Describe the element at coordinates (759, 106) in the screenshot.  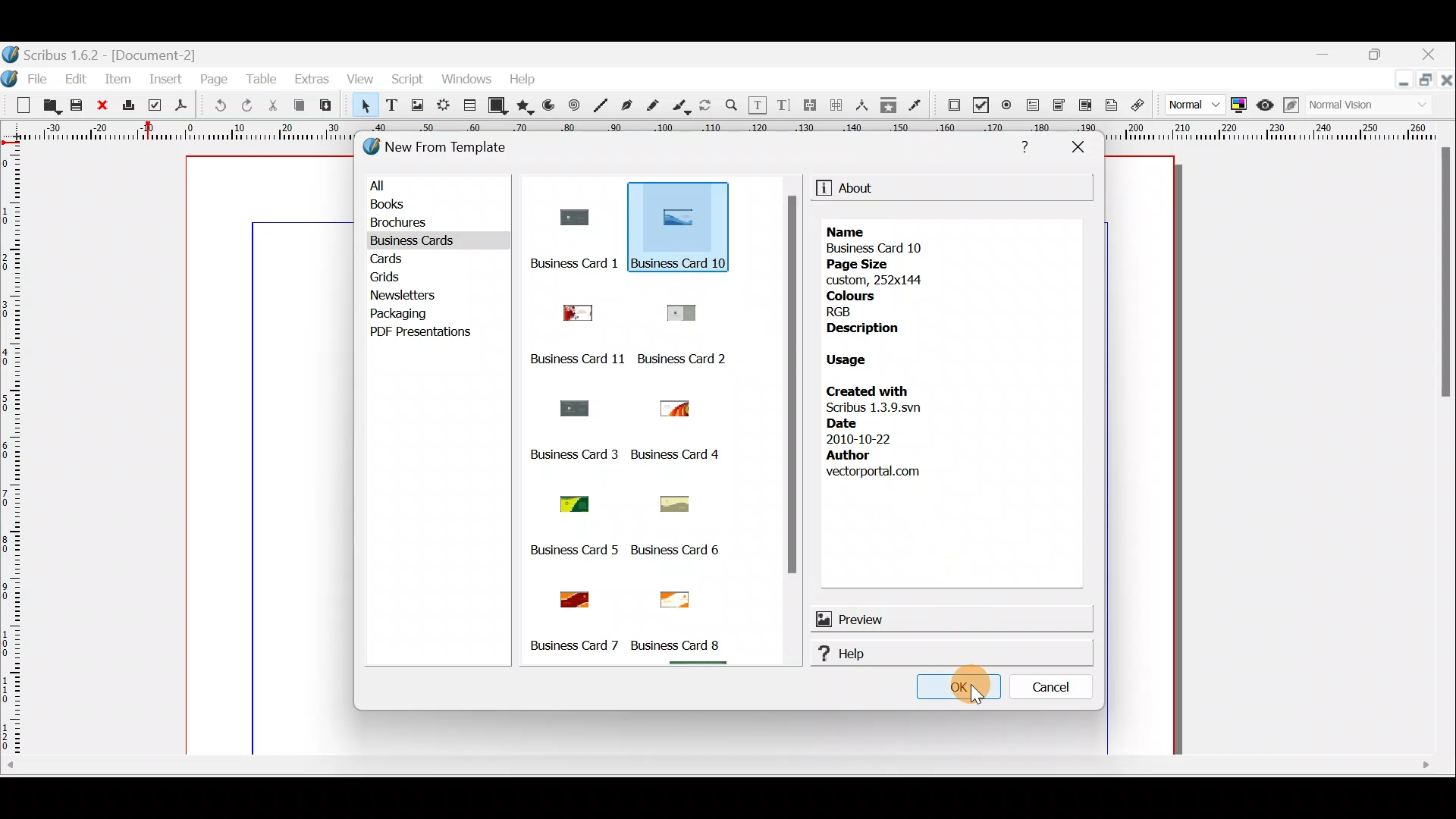
I see `Edit contents of frame` at that location.